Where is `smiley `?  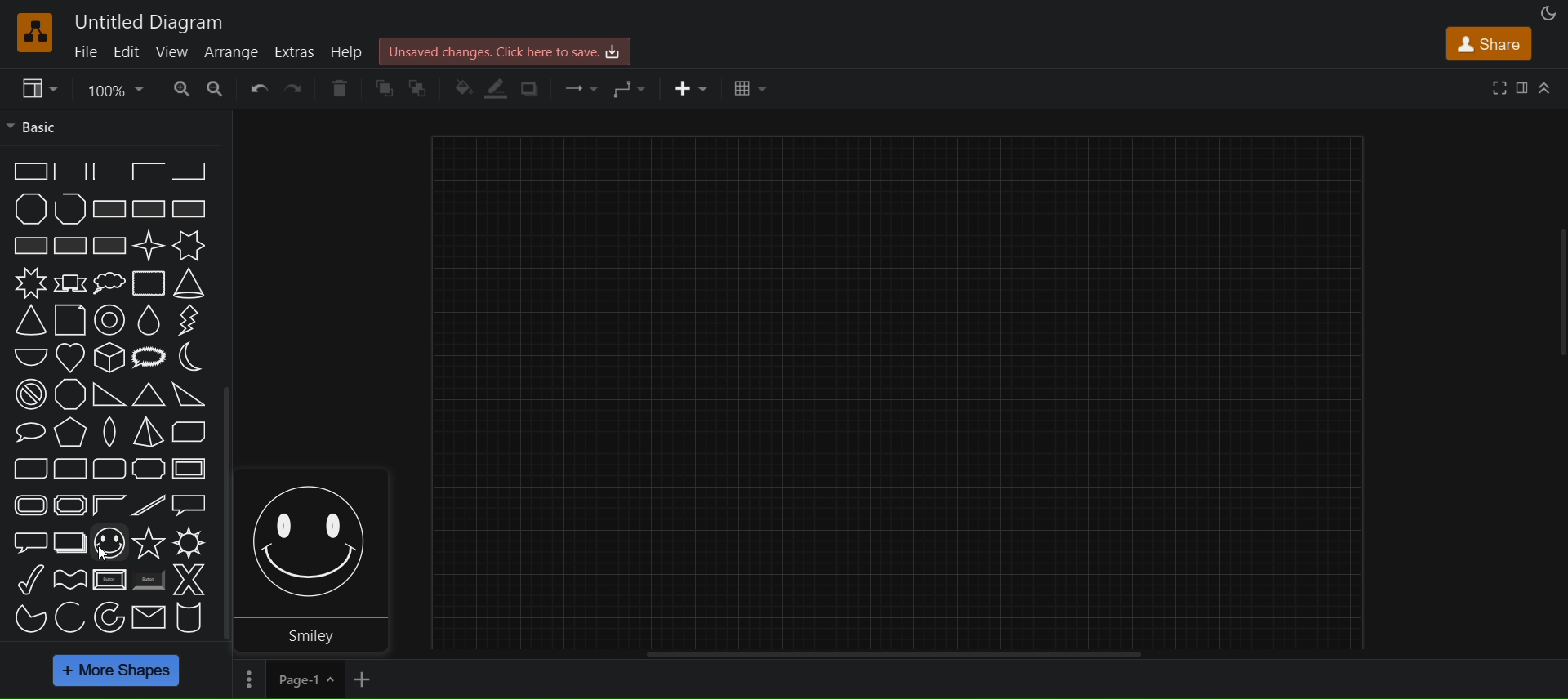
smiley  is located at coordinates (109, 543).